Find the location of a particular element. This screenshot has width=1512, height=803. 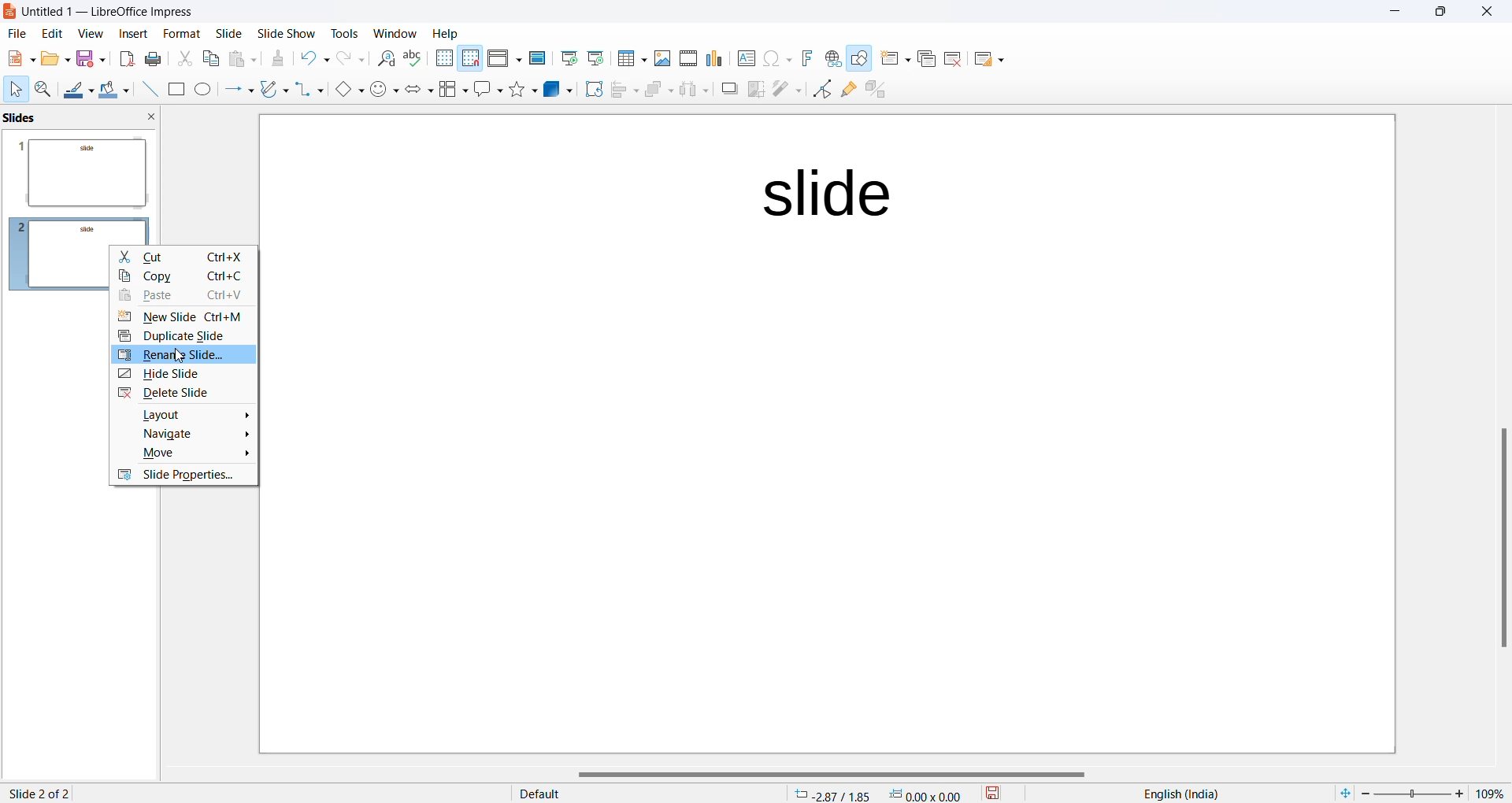

Show glue point function is located at coordinates (847, 90).